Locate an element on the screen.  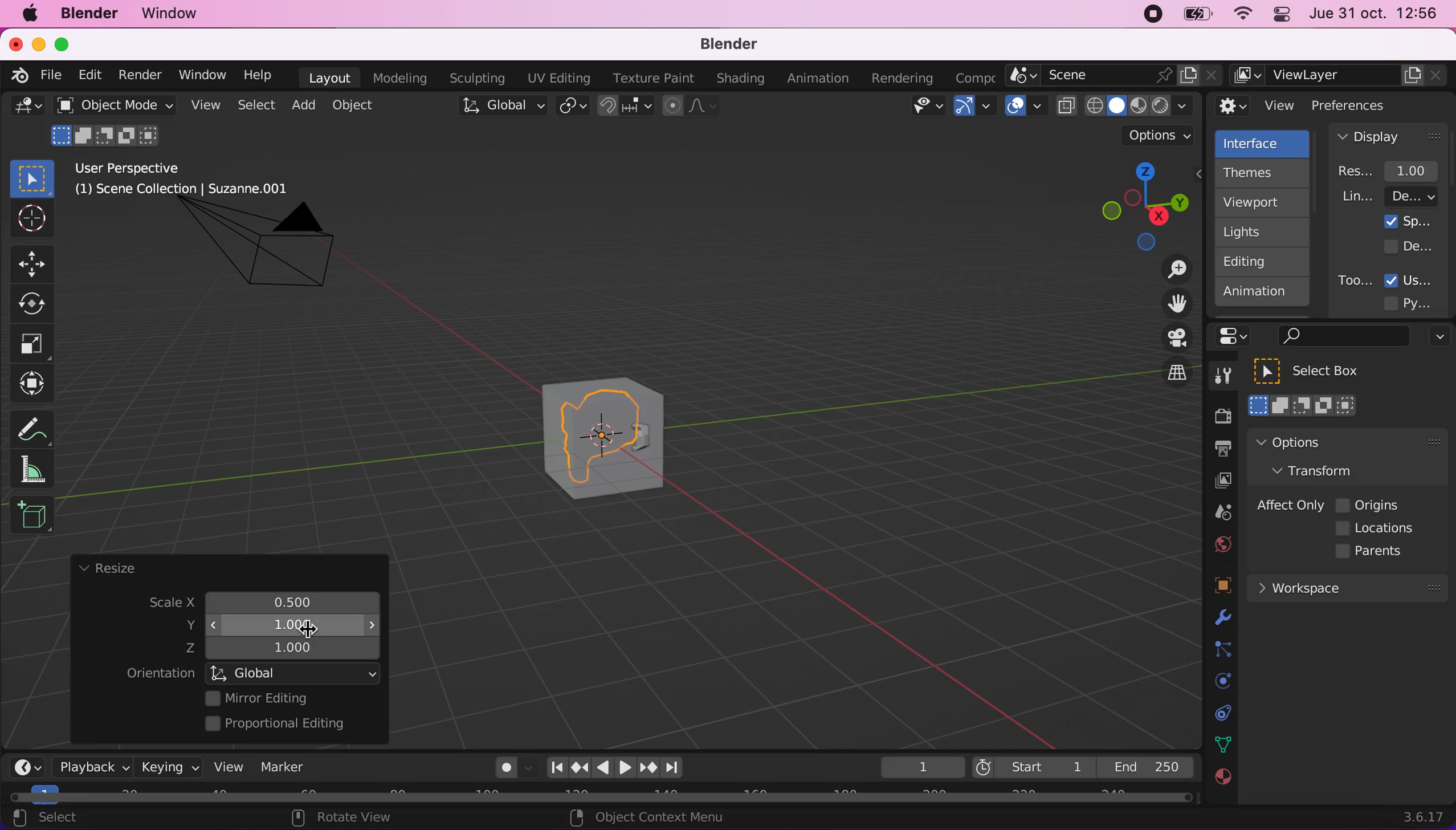
blender is located at coordinates (721, 45).